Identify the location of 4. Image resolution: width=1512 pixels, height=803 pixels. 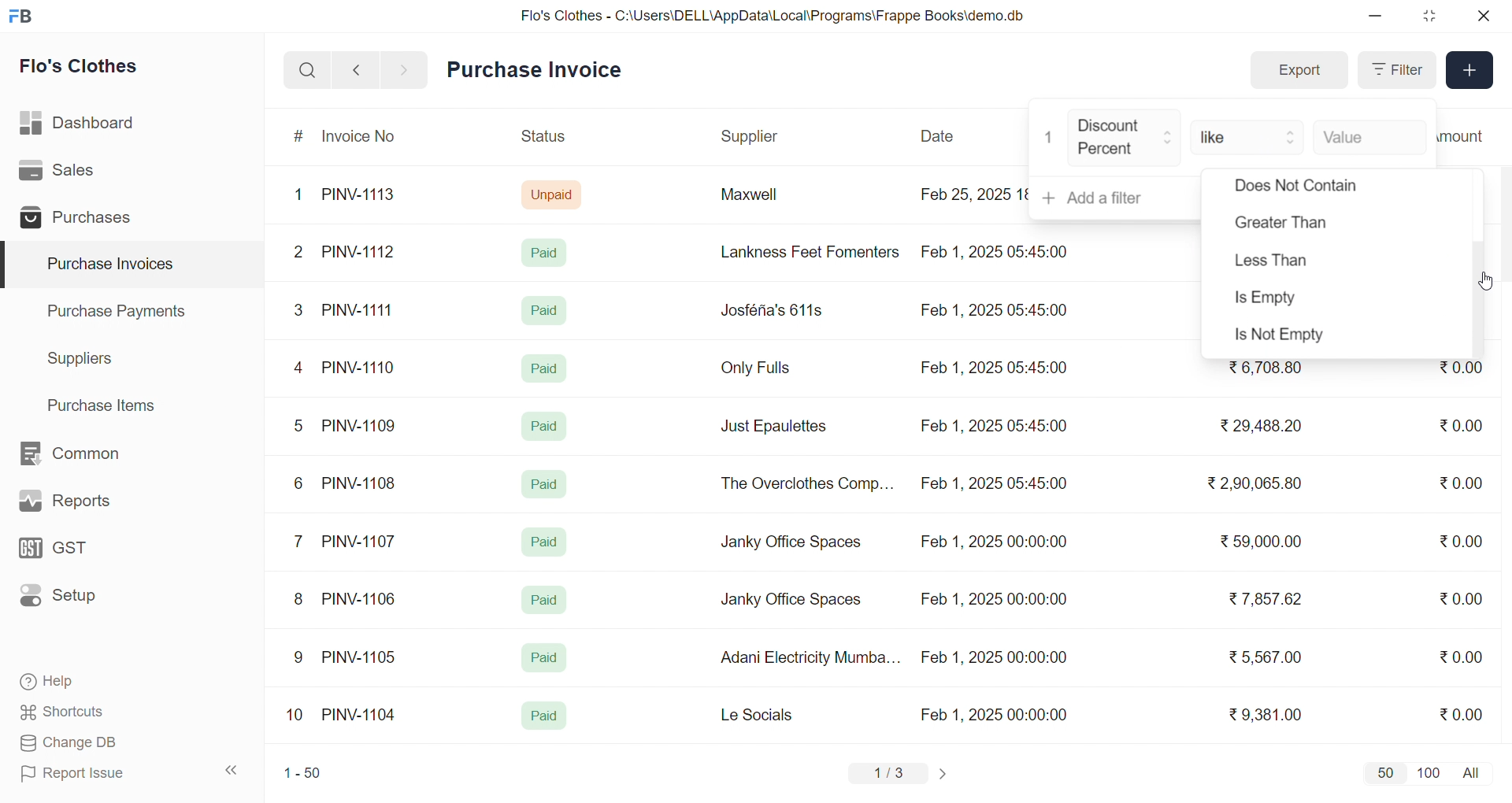
(302, 368).